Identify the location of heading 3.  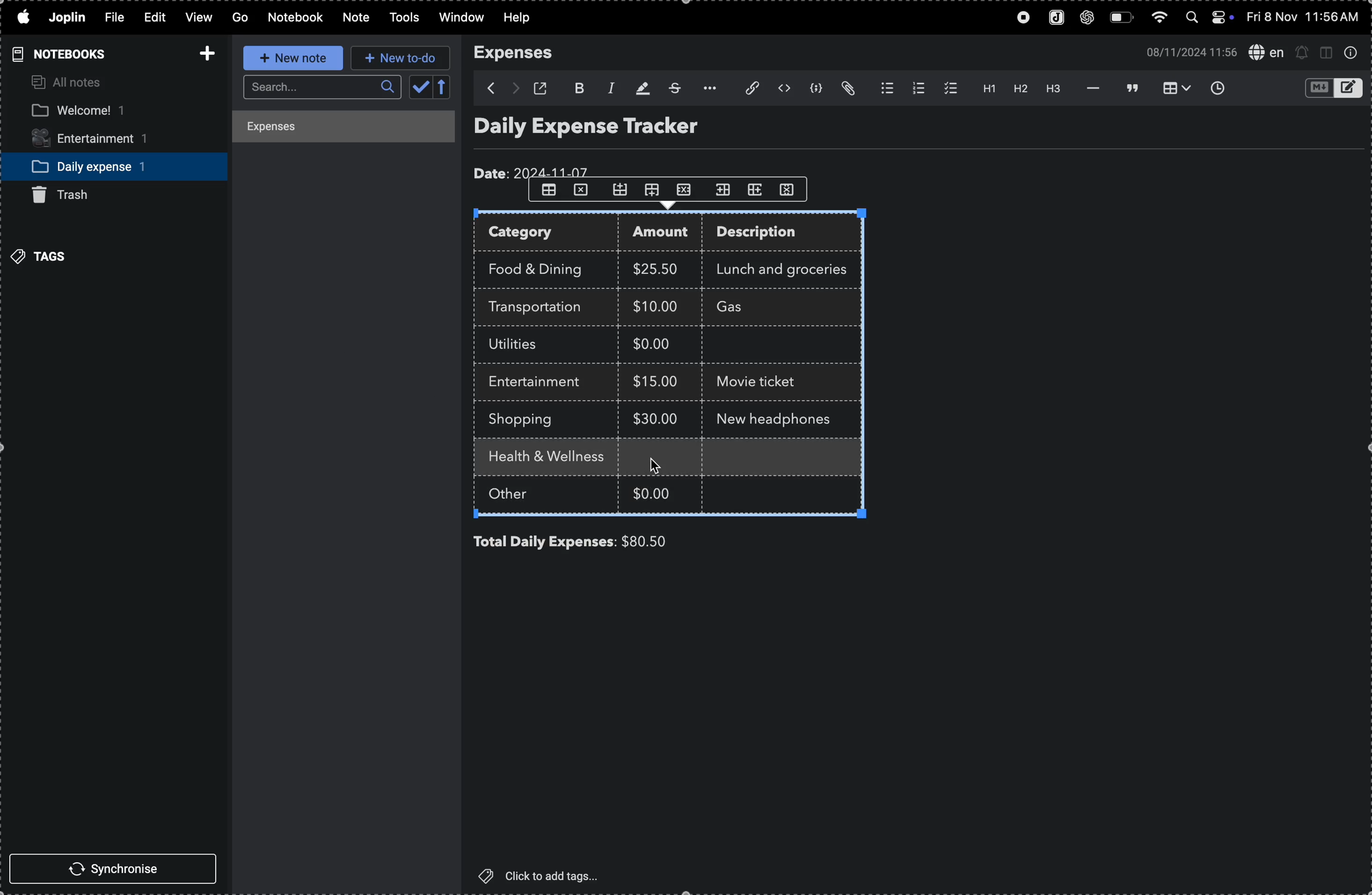
(1054, 90).